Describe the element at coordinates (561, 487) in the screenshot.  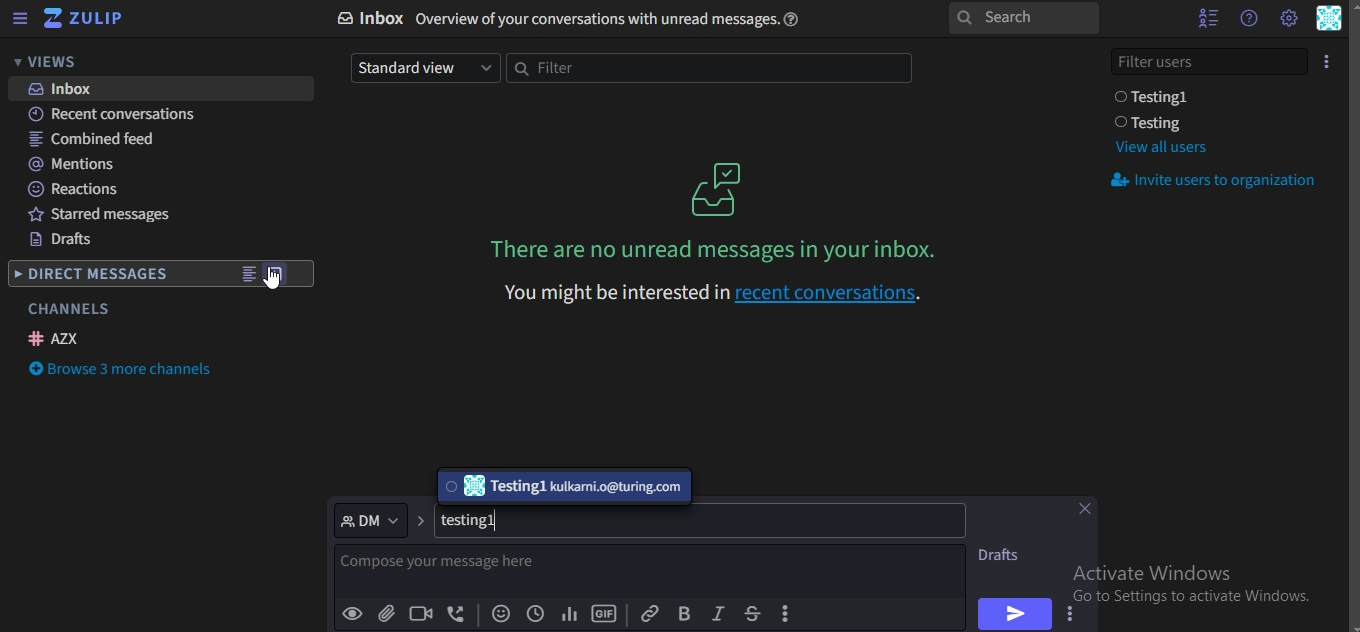
I see `testing 1 kulkarni.o@turing.com` at that location.